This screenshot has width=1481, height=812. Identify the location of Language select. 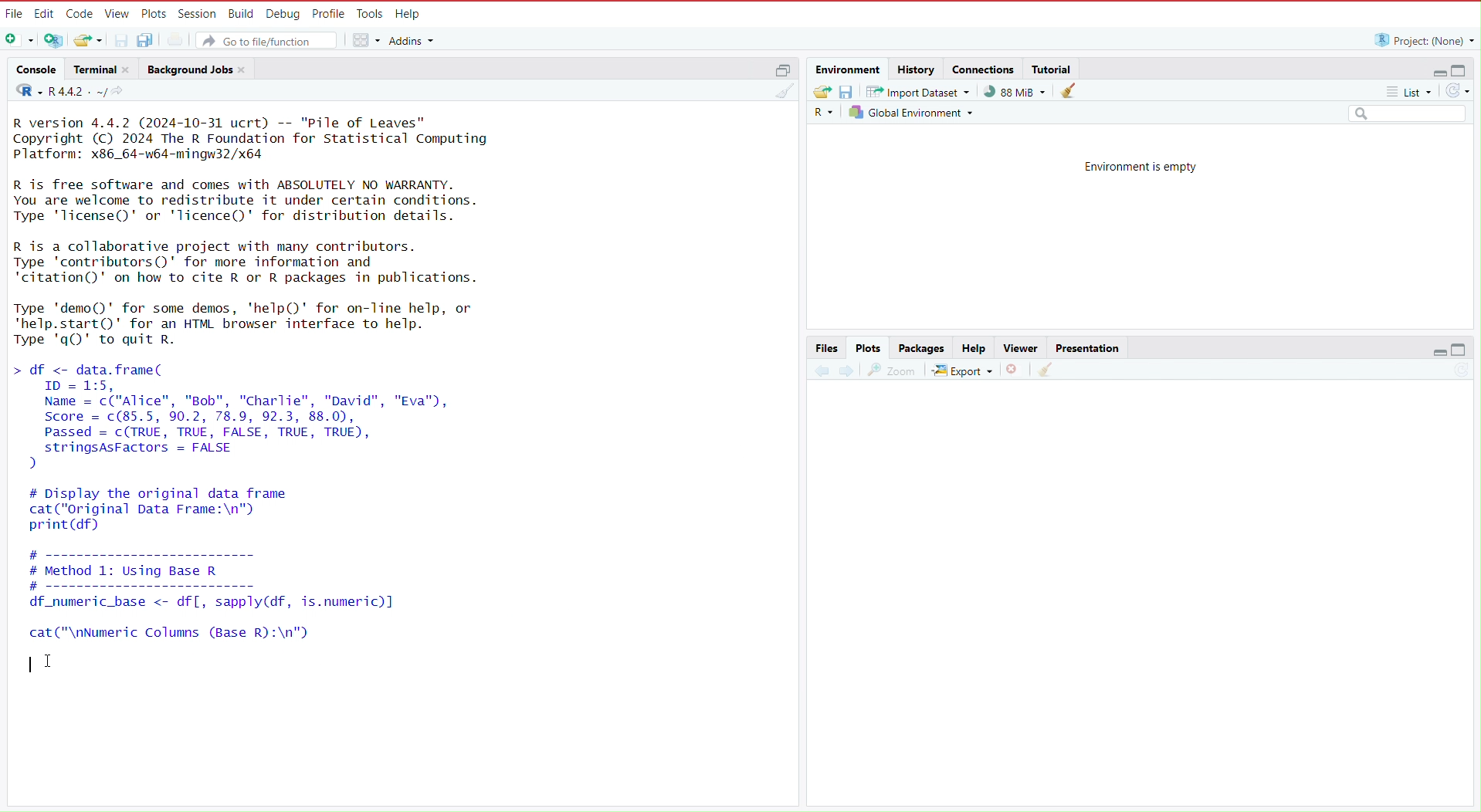
(822, 112).